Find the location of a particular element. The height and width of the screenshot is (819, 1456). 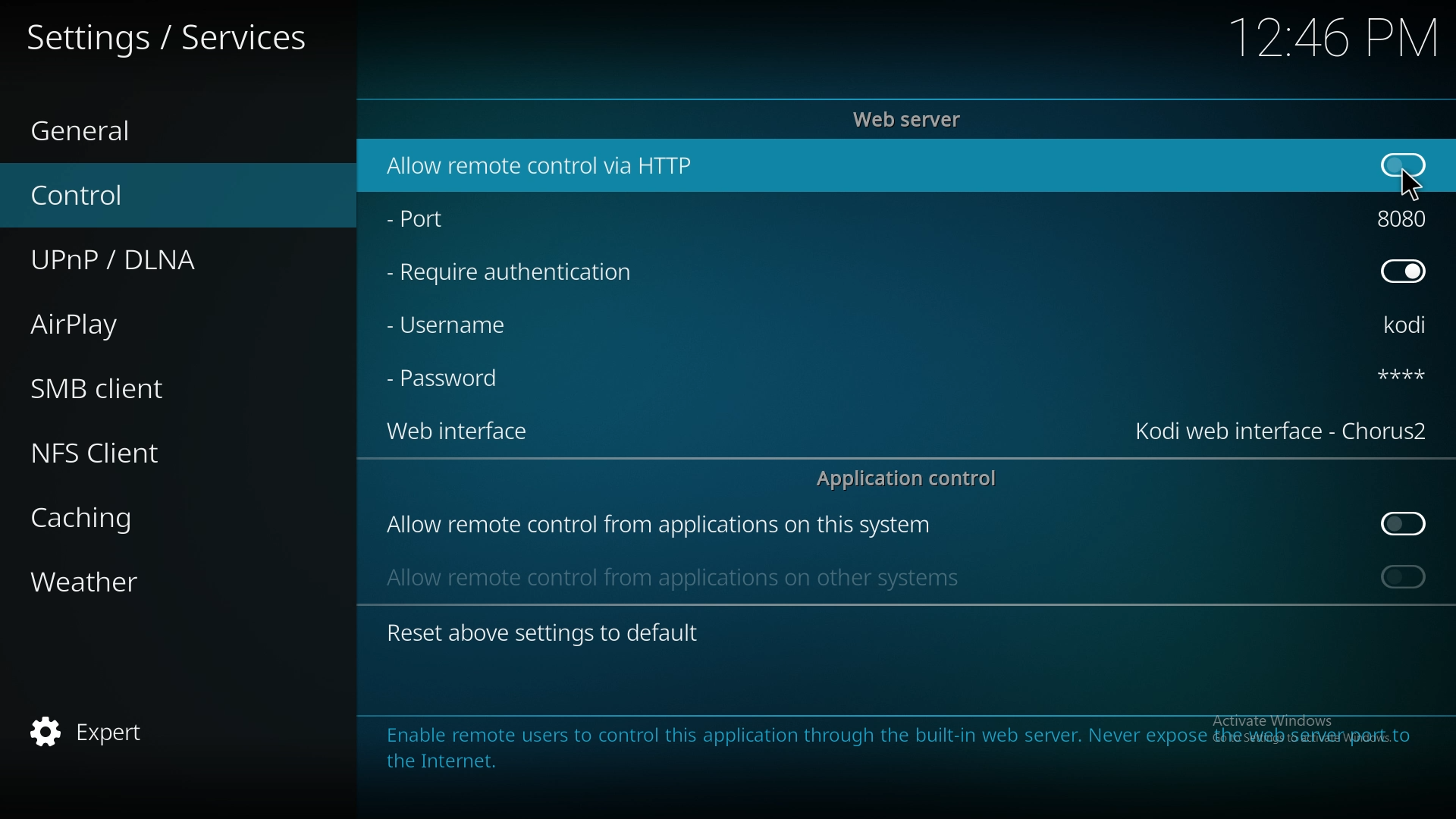

password is located at coordinates (450, 377).